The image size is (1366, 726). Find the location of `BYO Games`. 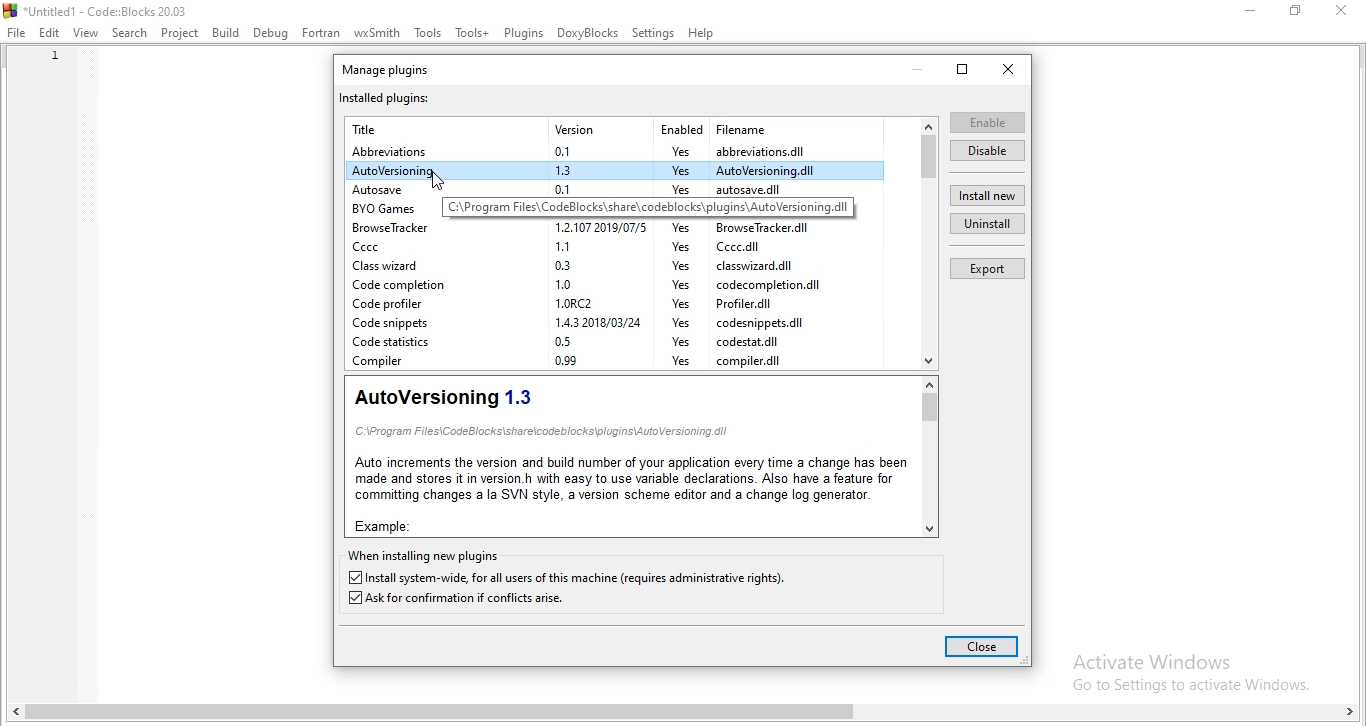

BYO Games is located at coordinates (385, 210).